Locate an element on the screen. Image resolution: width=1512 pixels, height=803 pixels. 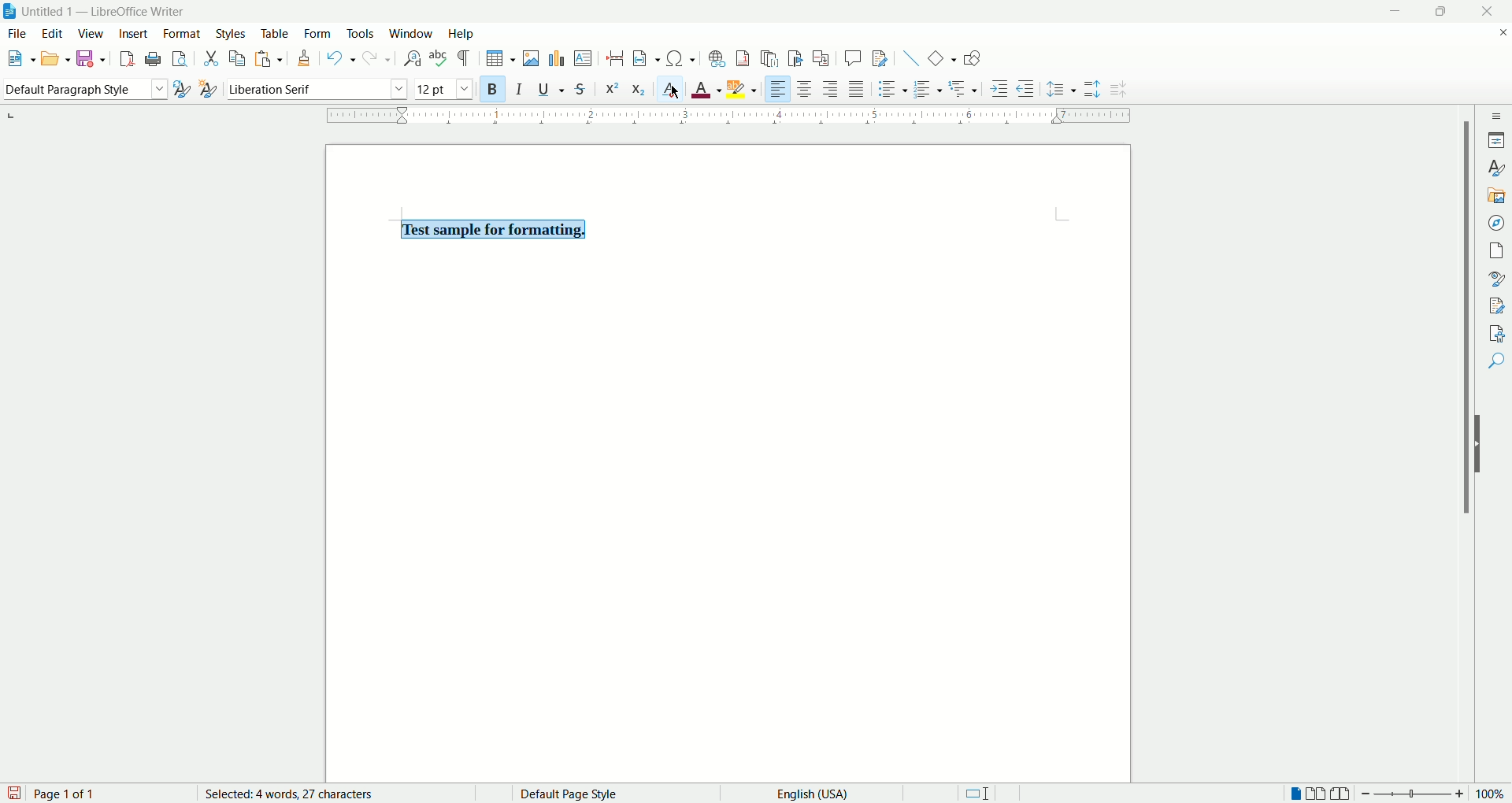
ruler bar is located at coordinates (732, 117).